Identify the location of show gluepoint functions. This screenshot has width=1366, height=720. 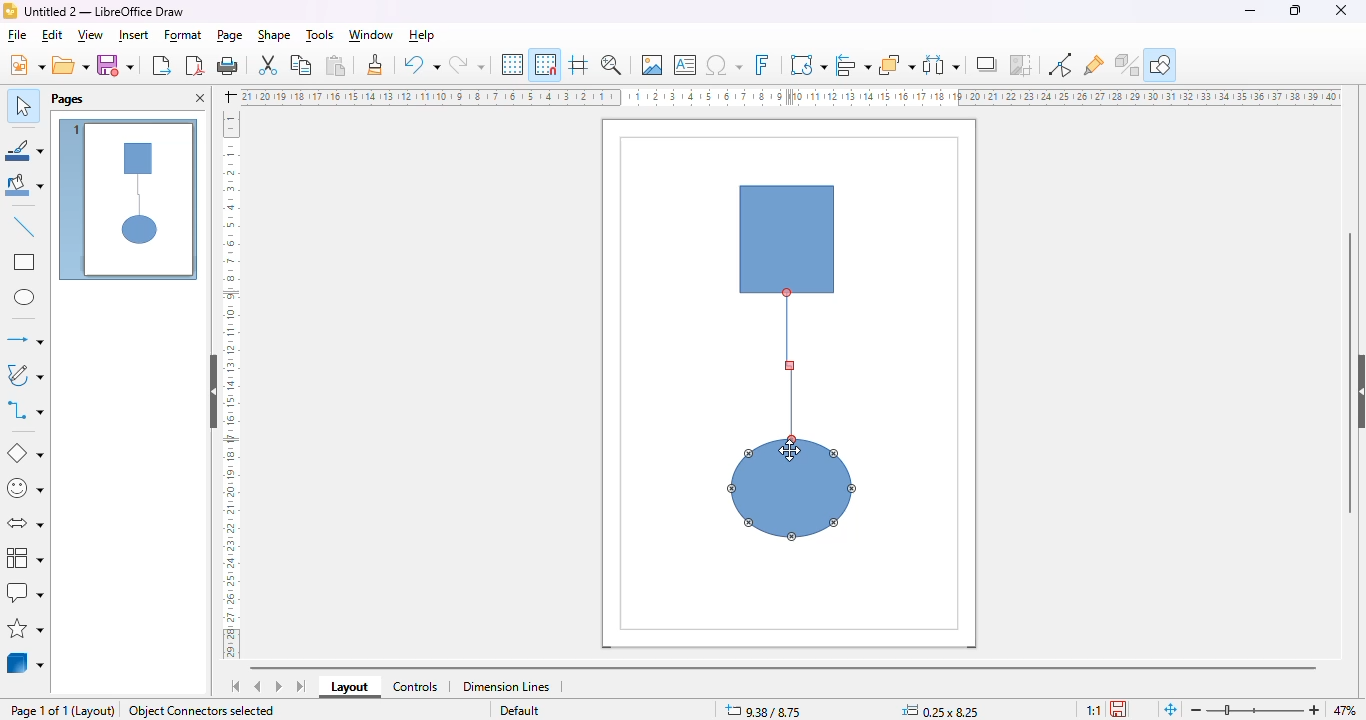
(1094, 66).